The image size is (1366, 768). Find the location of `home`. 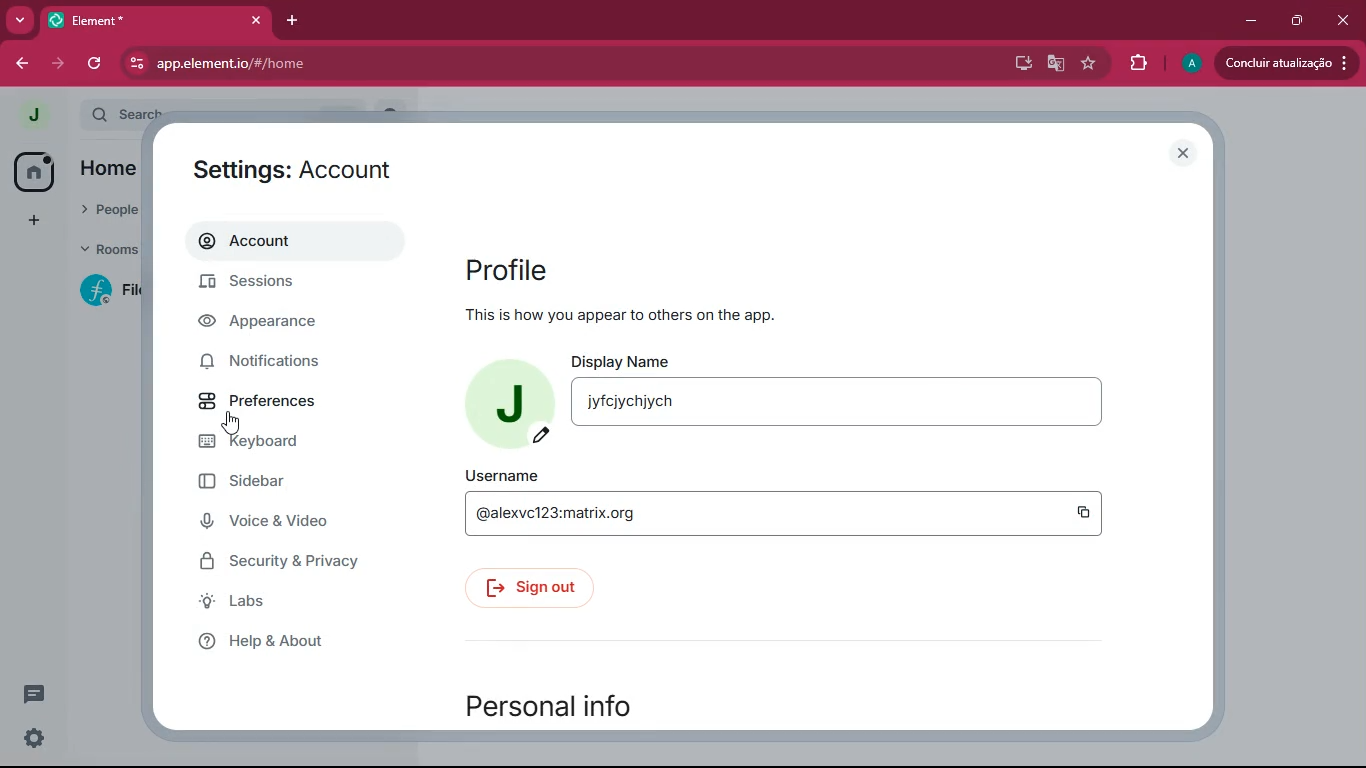

home is located at coordinates (34, 170).